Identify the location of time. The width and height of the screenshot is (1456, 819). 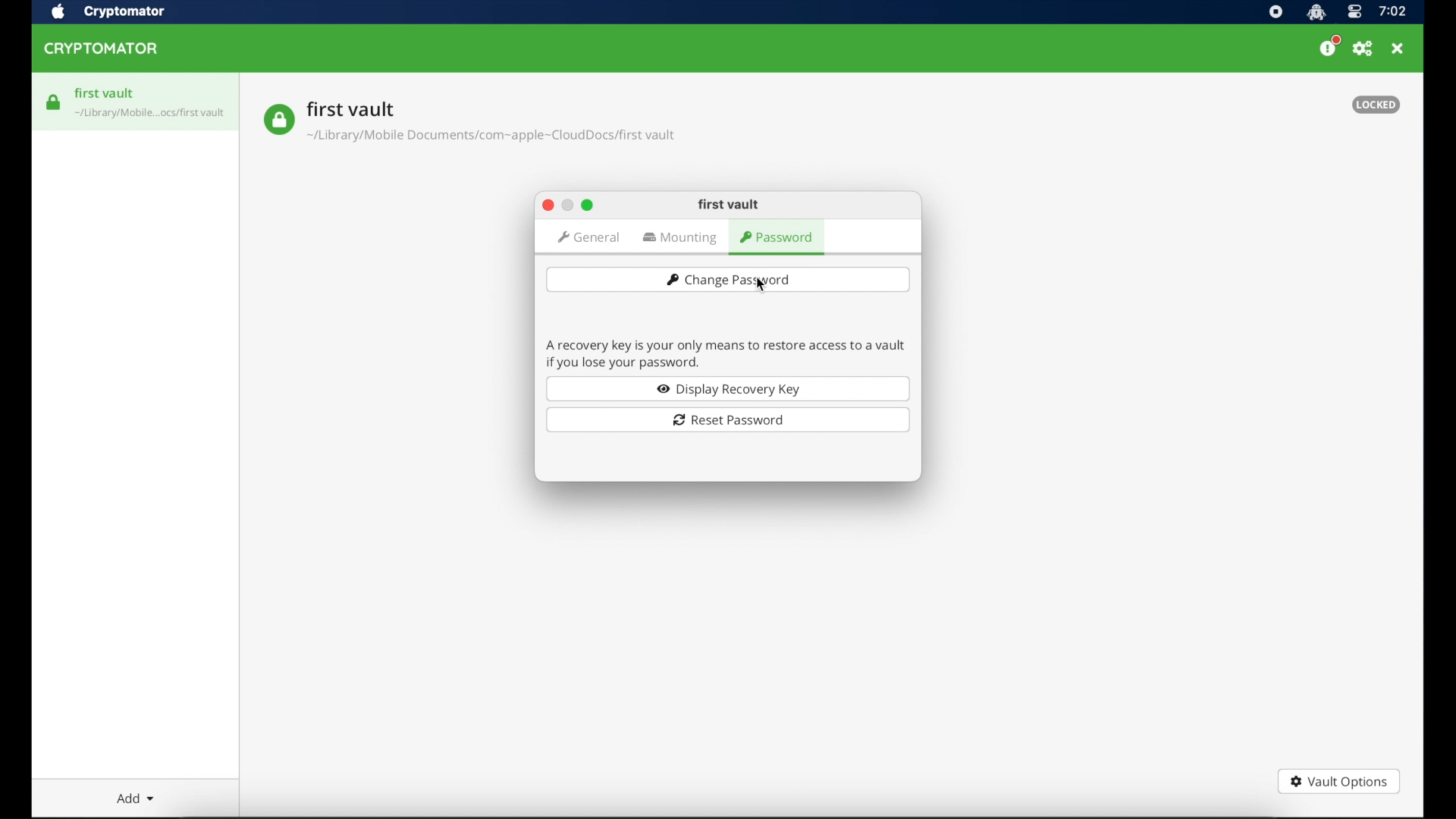
(1392, 12).